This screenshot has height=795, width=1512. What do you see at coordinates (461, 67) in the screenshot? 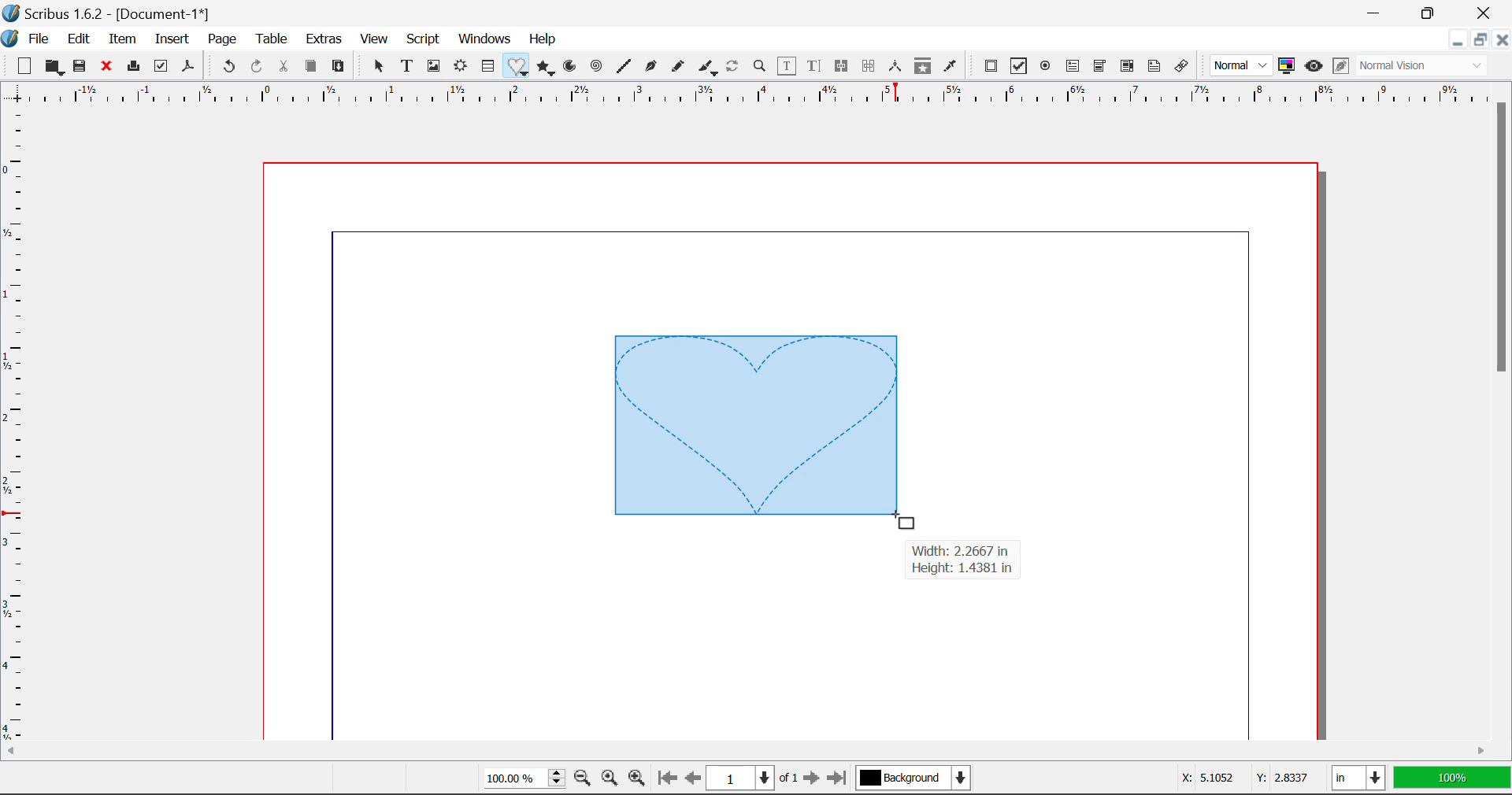
I see `Render Frame` at bounding box center [461, 67].